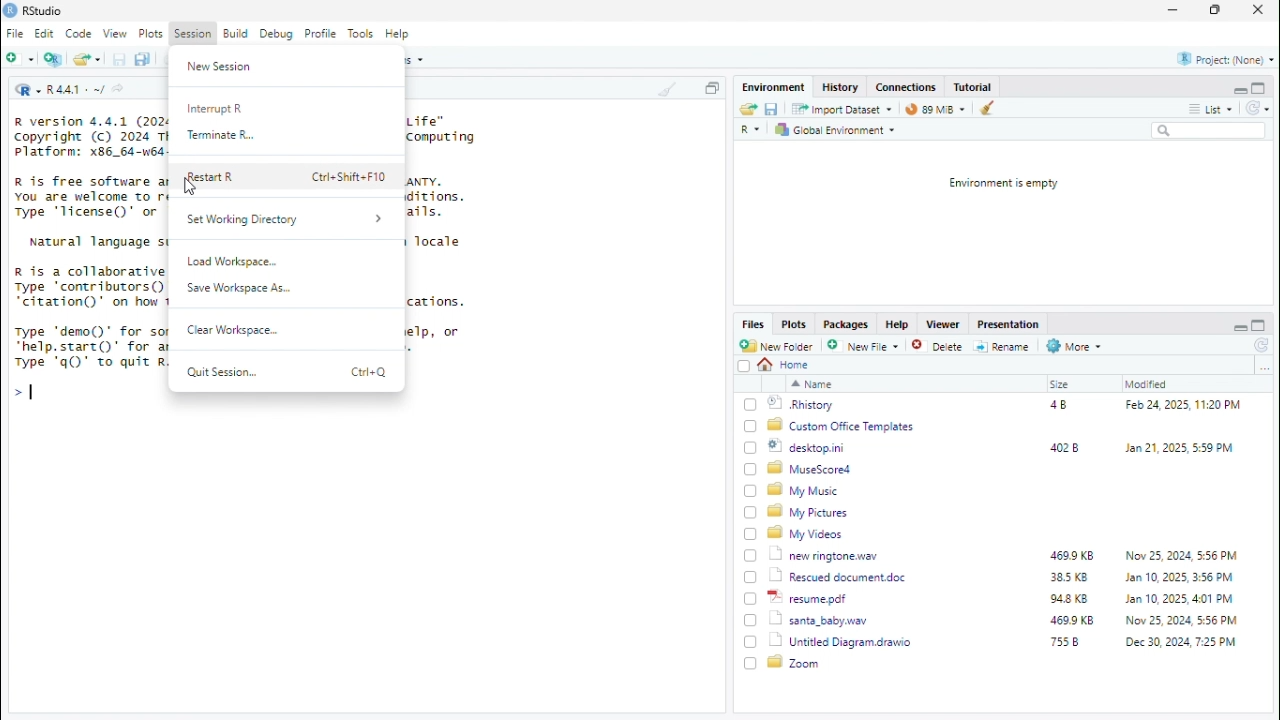 This screenshot has height=720, width=1280. I want to click on Session, so click(194, 33).